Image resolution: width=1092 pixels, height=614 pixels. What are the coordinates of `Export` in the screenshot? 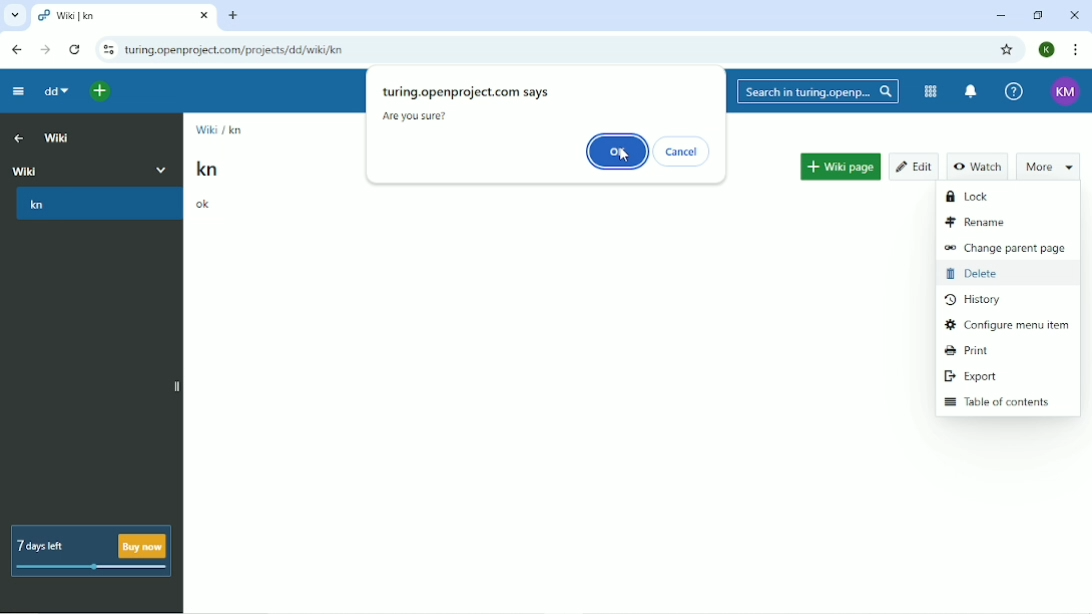 It's located at (971, 375).